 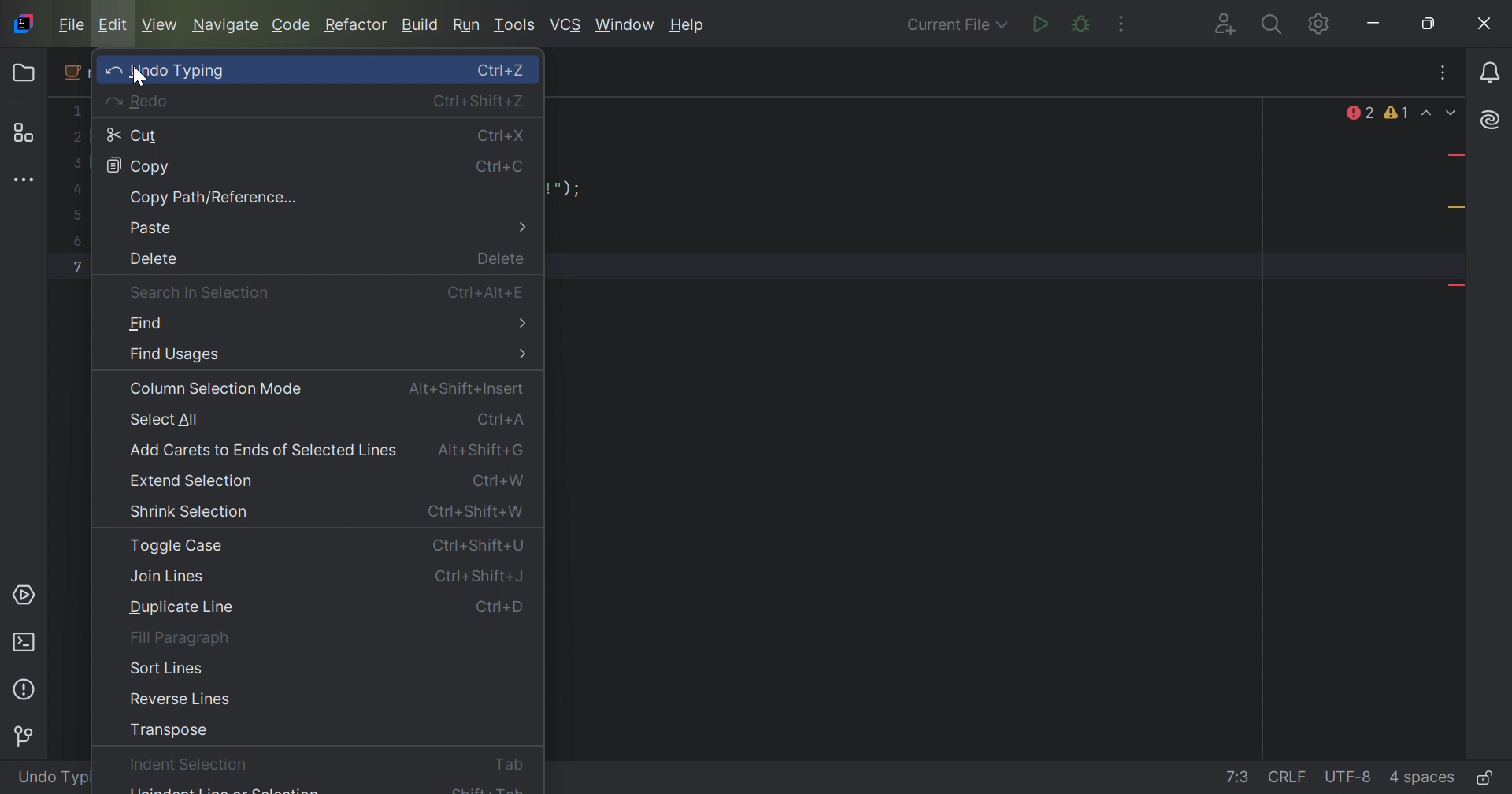 I want to click on Delete, so click(x=501, y=258).